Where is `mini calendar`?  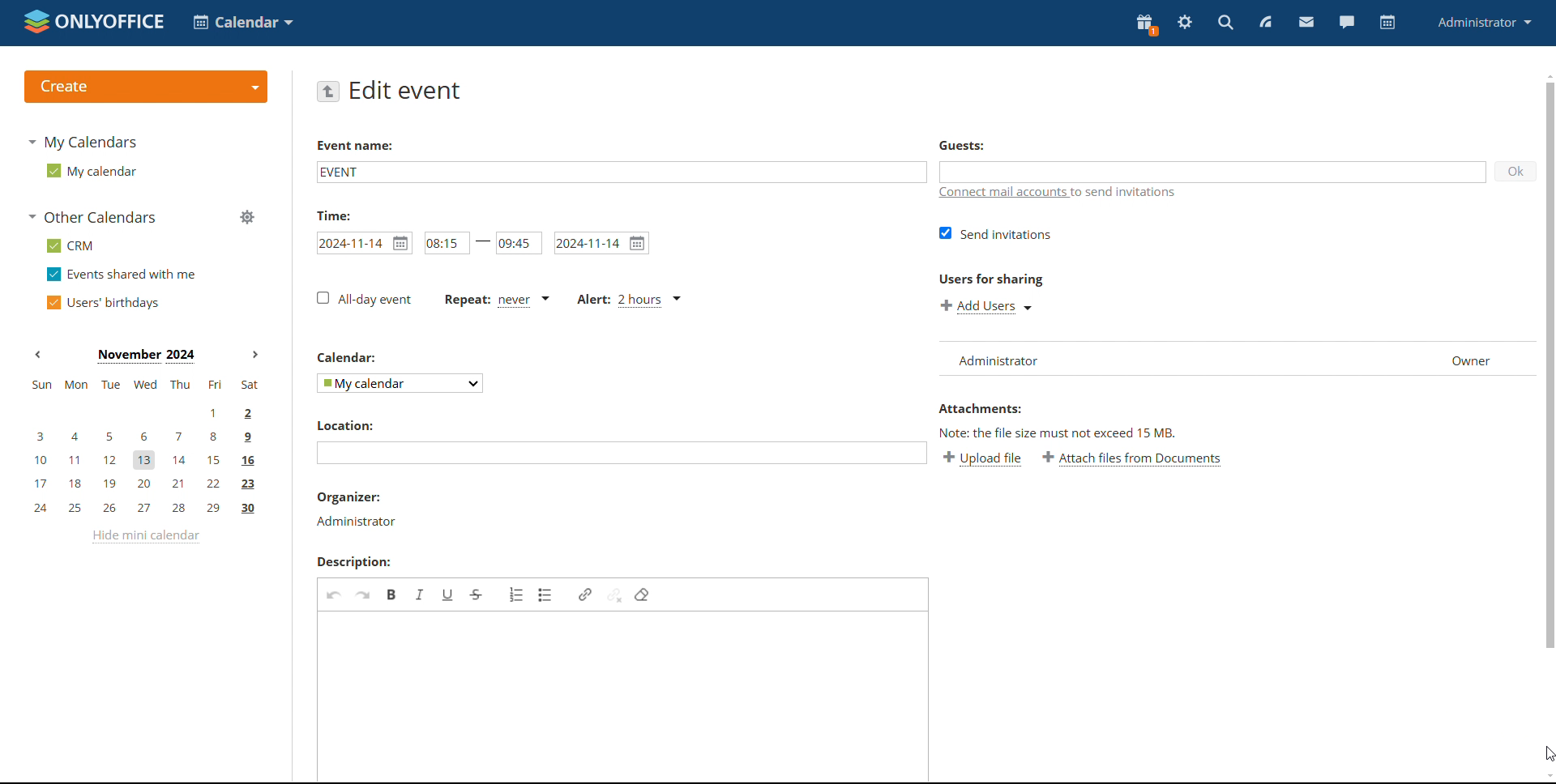
mini calendar is located at coordinates (143, 449).